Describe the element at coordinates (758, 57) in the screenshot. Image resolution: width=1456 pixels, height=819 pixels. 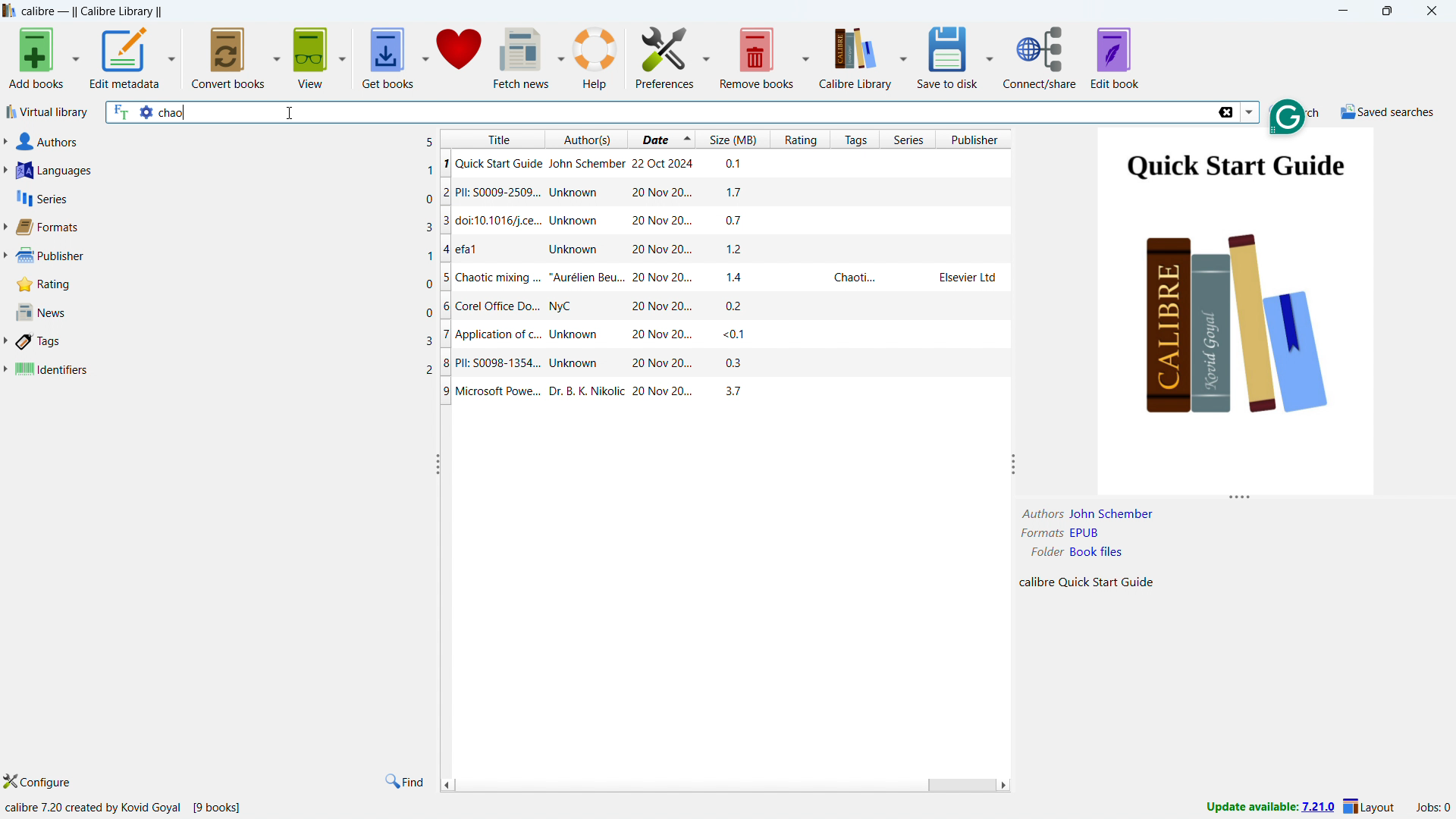
I see `remove books` at that location.